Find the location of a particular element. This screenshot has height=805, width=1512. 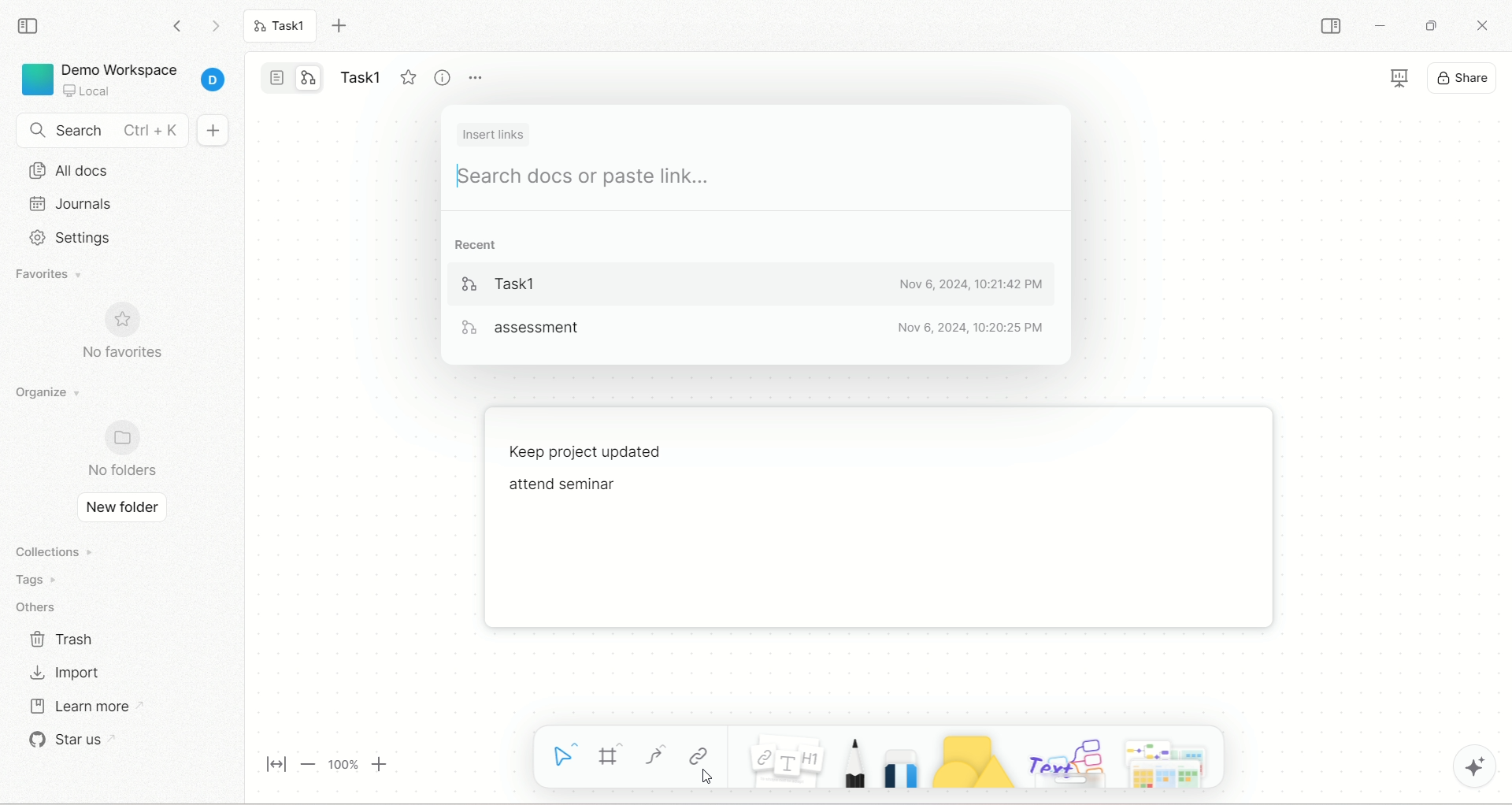

Task1 is located at coordinates (285, 28).